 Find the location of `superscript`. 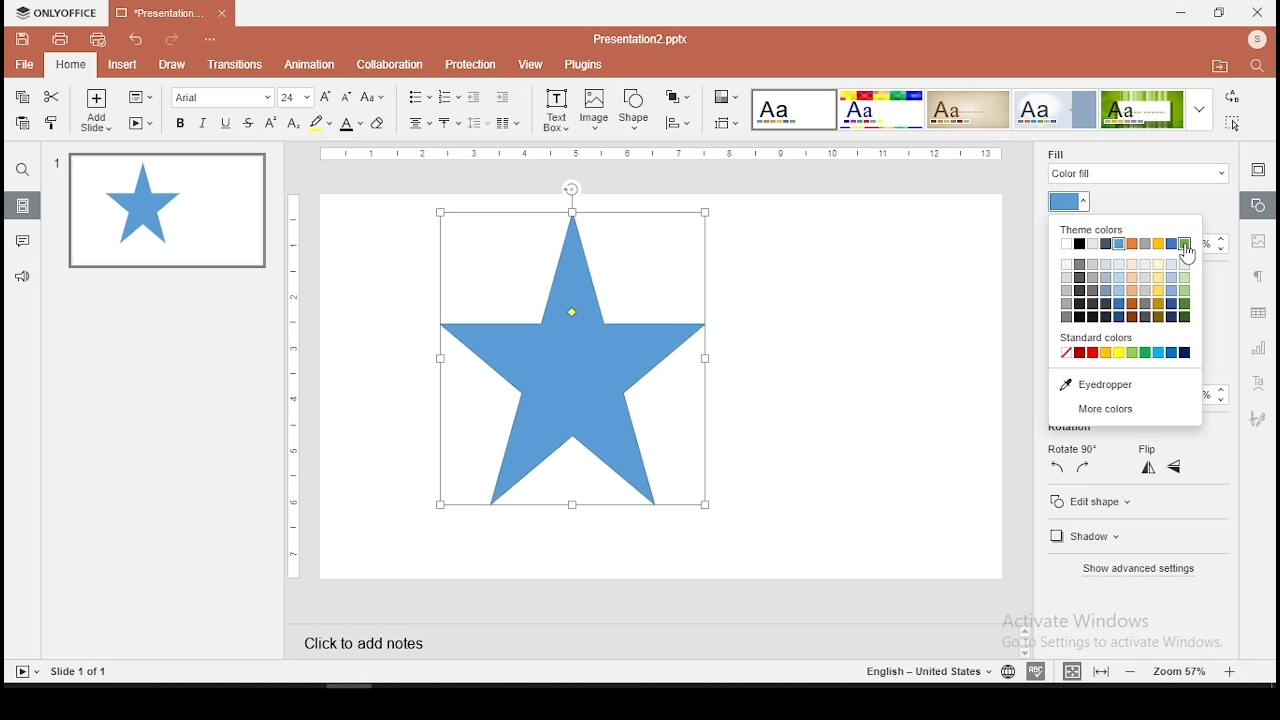

superscript is located at coordinates (269, 121).